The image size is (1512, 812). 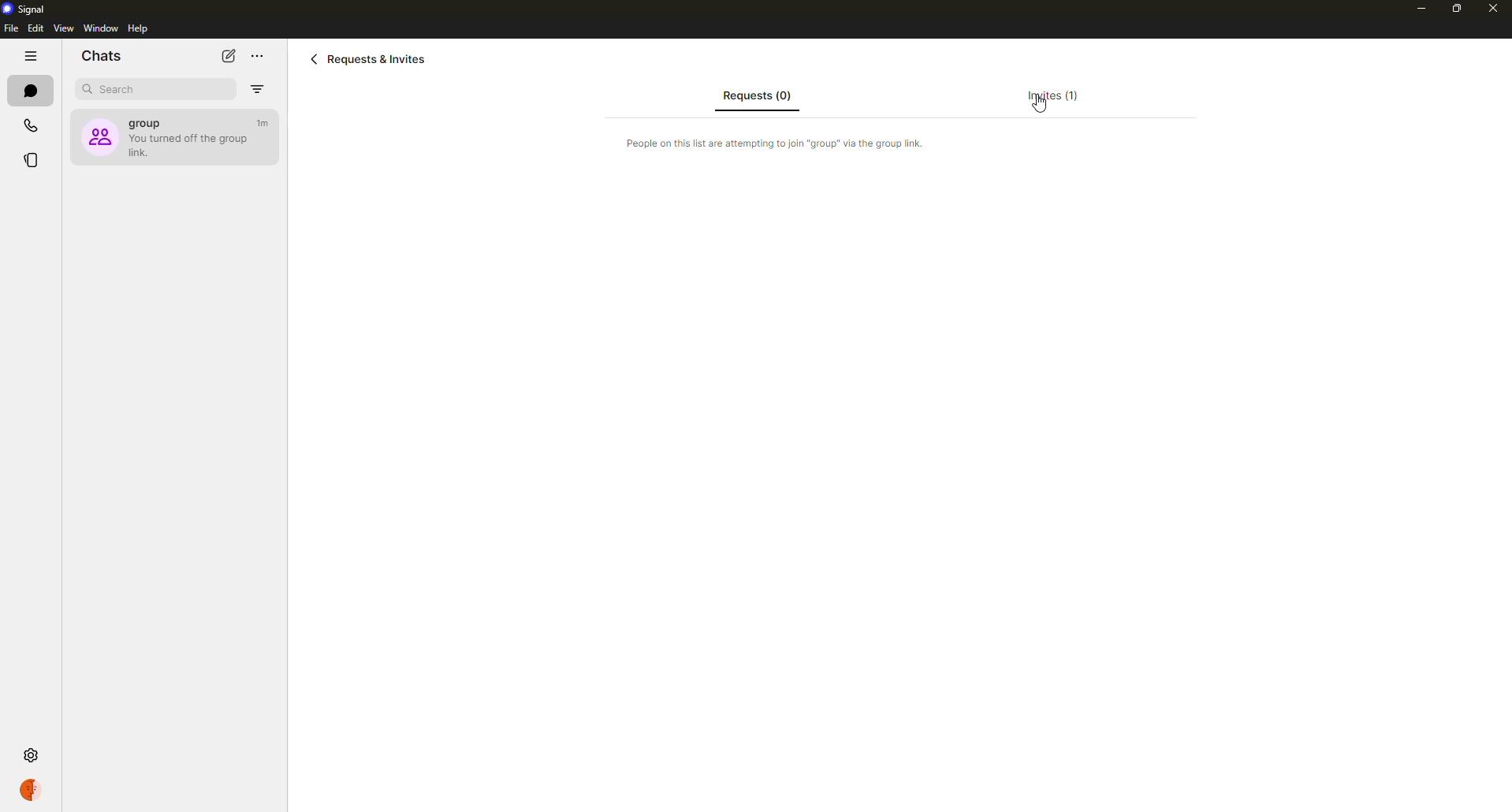 What do you see at coordinates (31, 790) in the screenshot?
I see `profile` at bounding box center [31, 790].